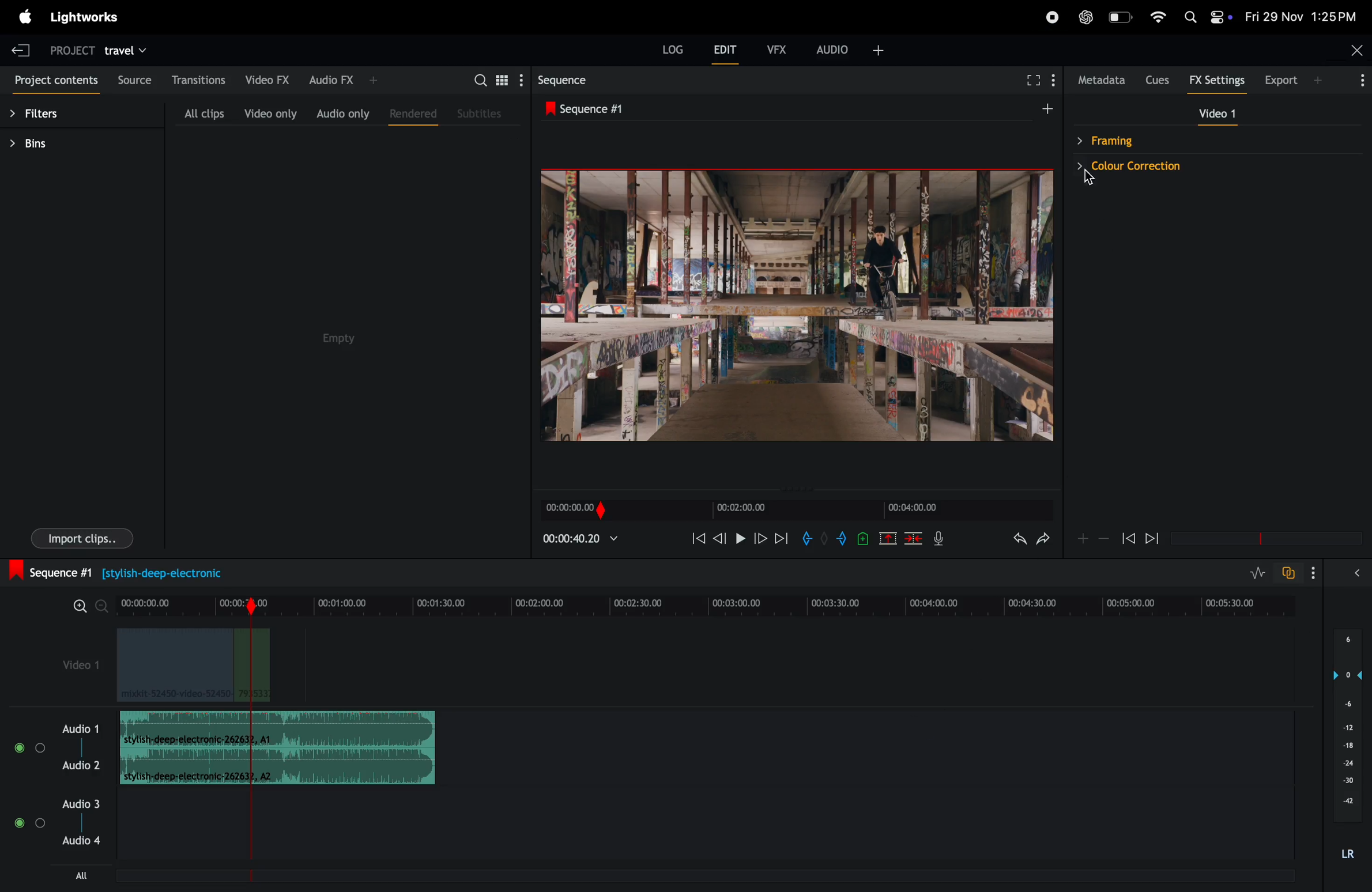  What do you see at coordinates (1296, 80) in the screenshot?
I see `export` at bounding box center [1296, 80].